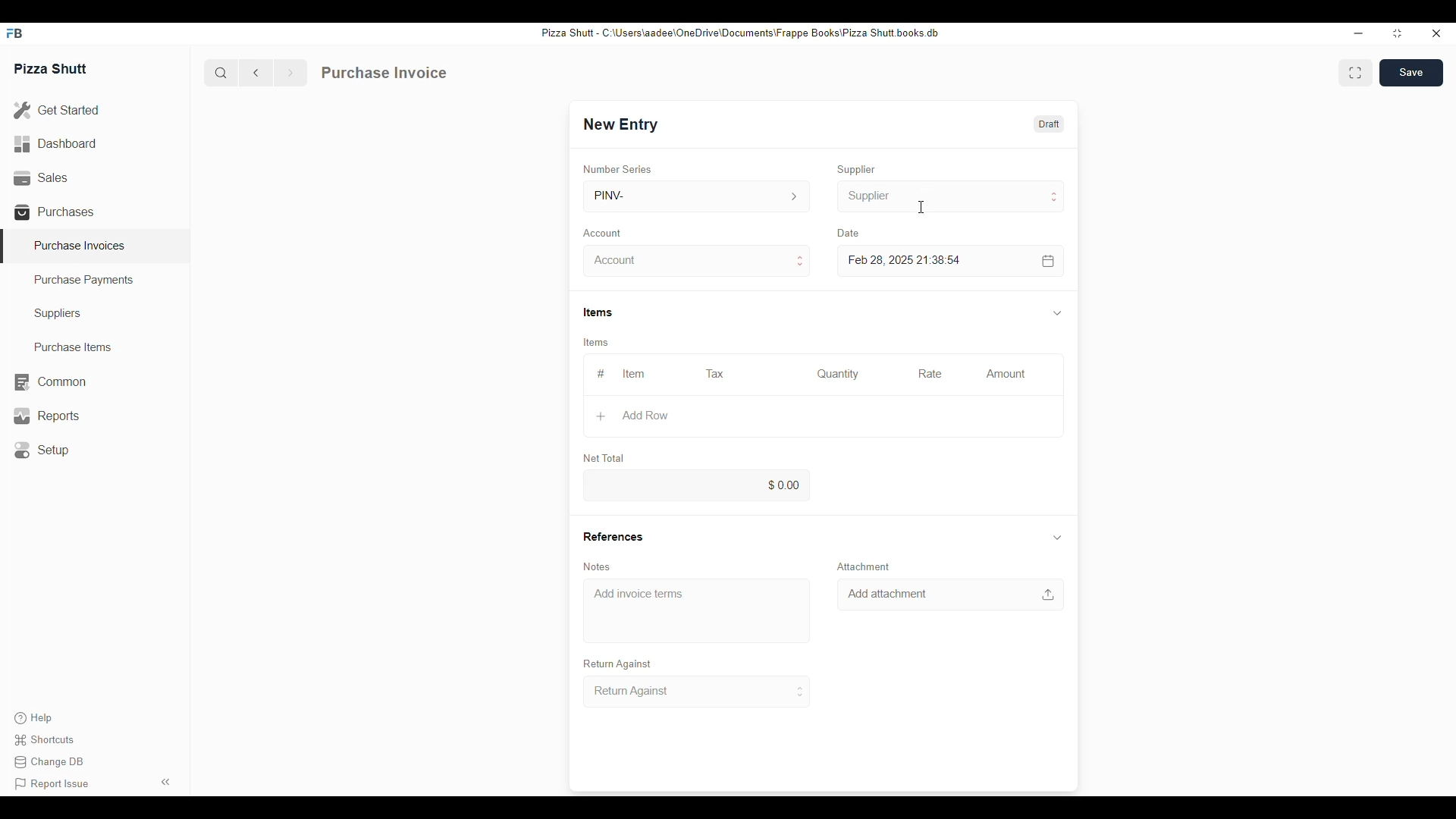 Image resolution: width=1456 pixels, height=819 pixels. Describe the element at coordinates (605, 459) in the screenshot. I see `Net Total` at that location.